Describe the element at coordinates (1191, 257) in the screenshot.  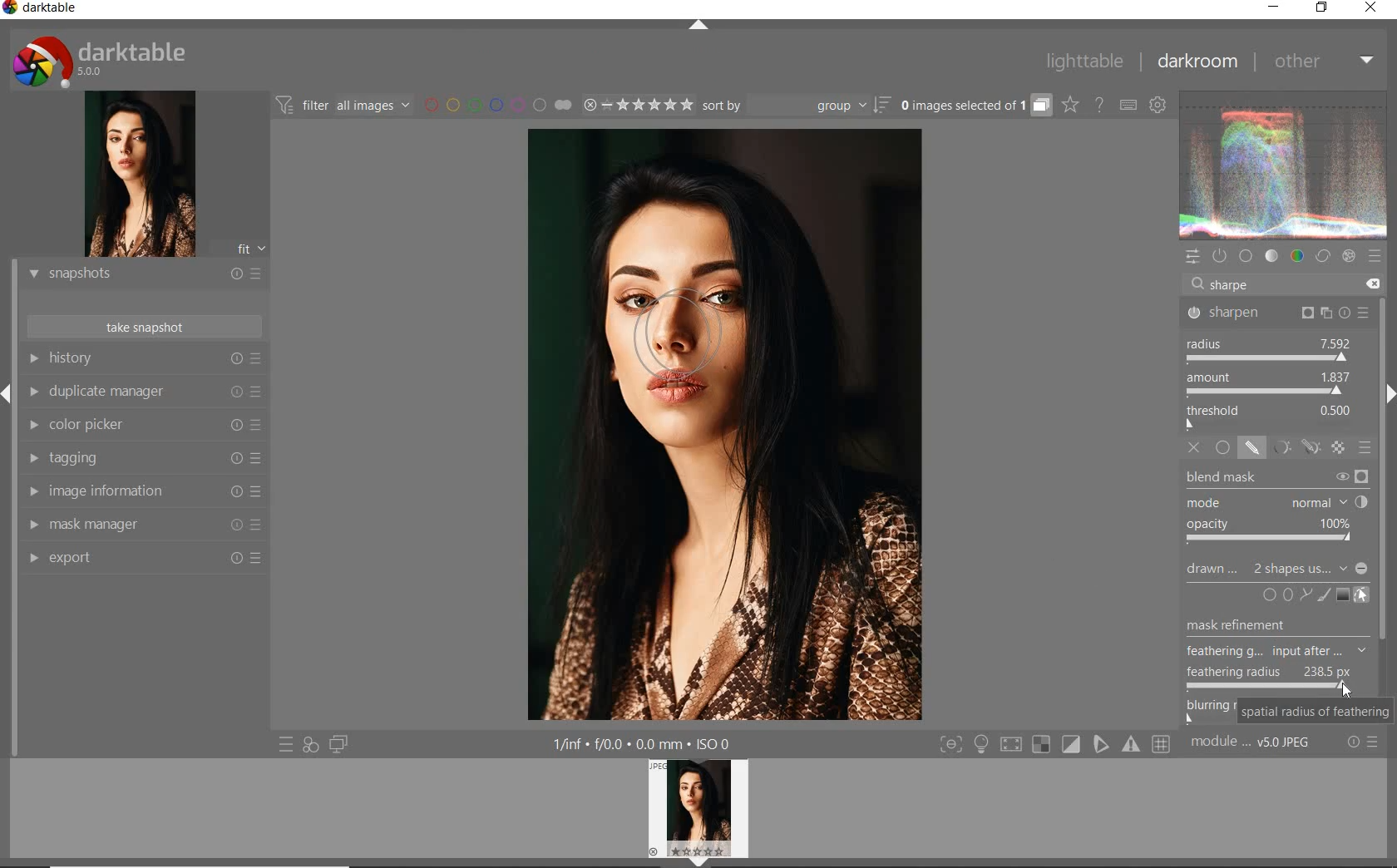
I see `quick access panel` at that location.